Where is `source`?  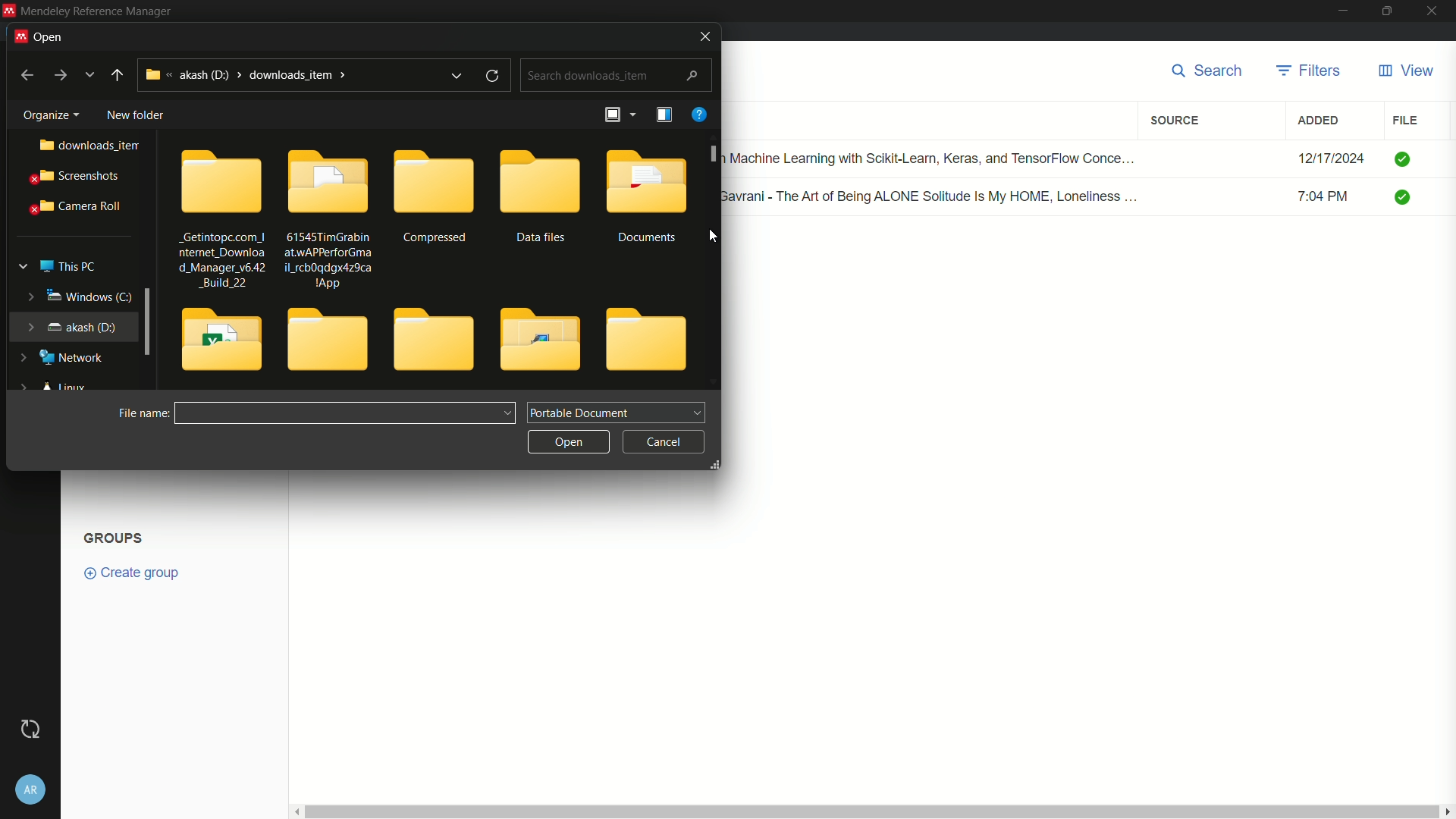 source is located at coordinates (1178, 121).